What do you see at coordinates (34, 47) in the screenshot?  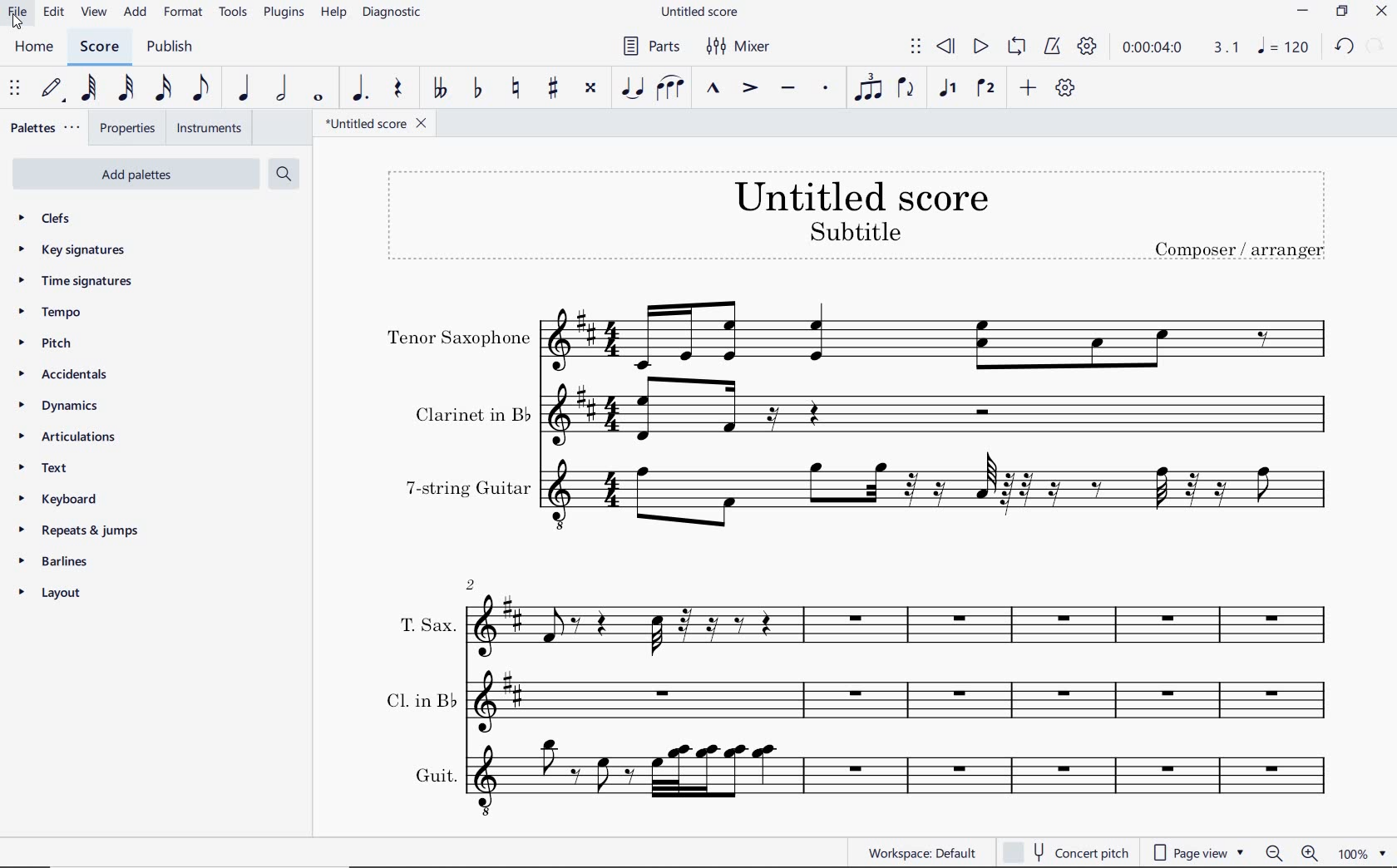 I see `HOME` at bounding box center [34, 47].